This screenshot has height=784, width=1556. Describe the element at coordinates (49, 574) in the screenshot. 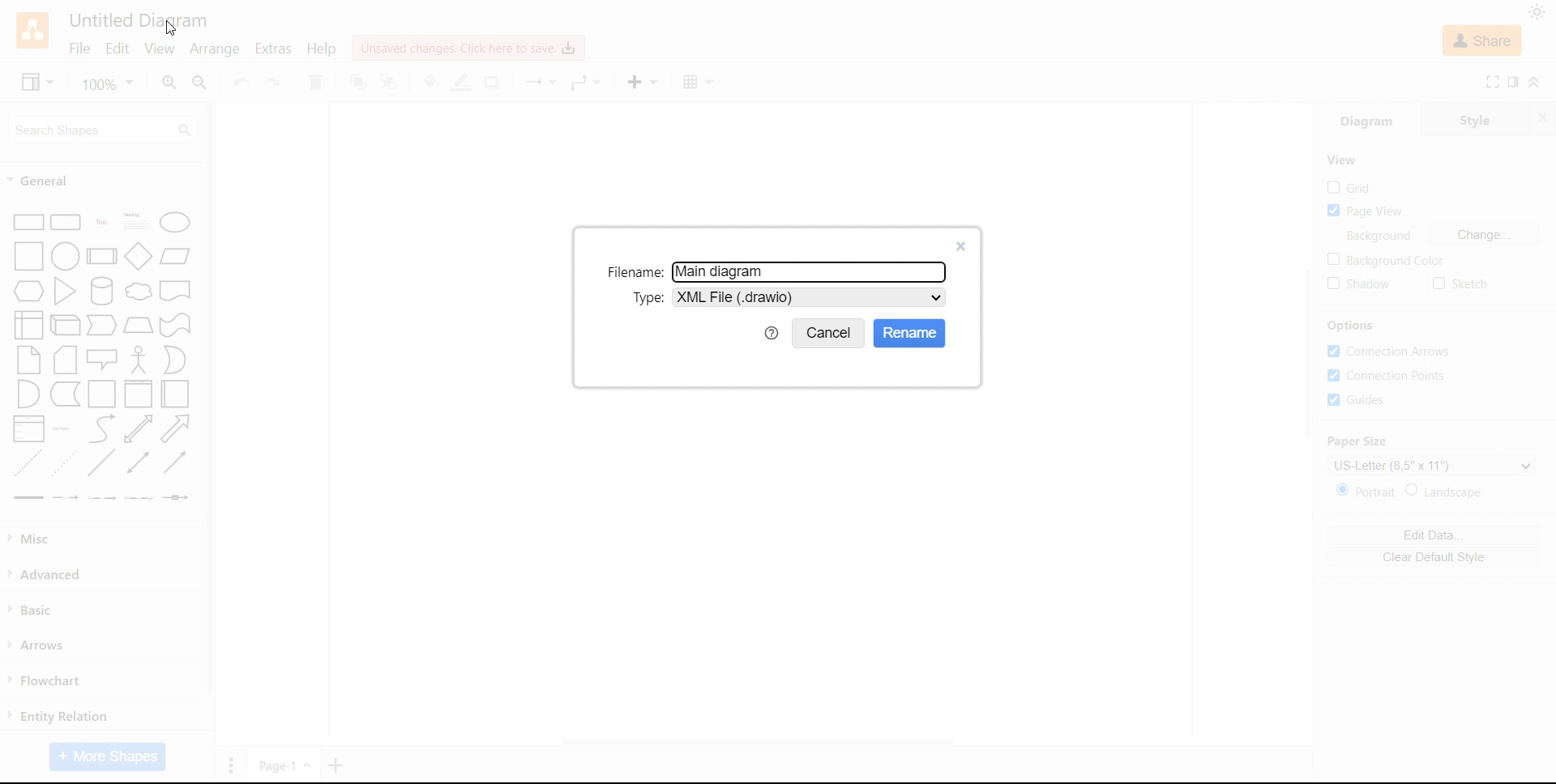

I see `Advanced ` at that location.